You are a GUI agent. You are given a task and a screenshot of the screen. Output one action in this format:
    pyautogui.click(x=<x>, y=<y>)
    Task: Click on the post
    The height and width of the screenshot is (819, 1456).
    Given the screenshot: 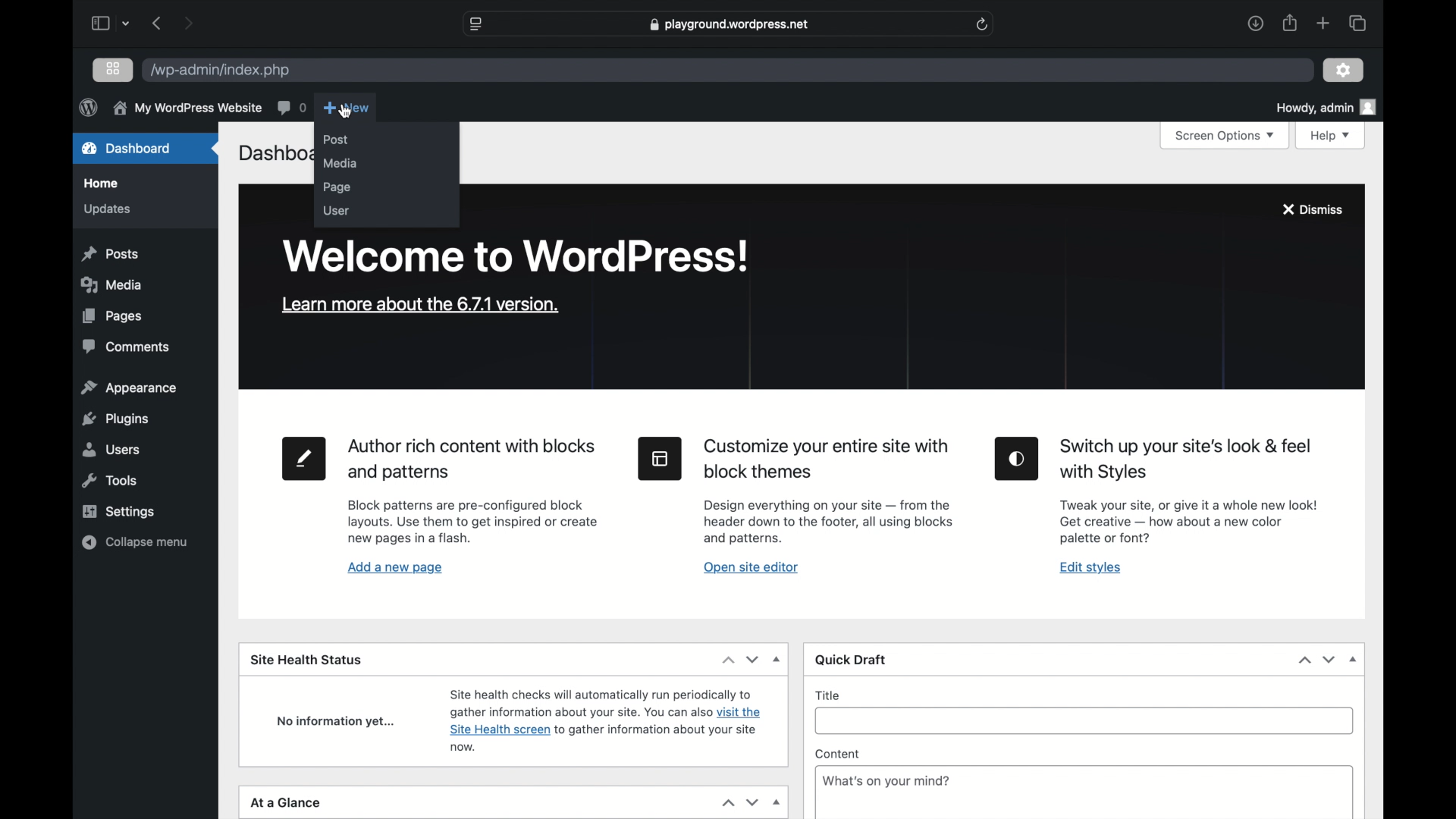 What is the action you would take?
    pyautogui.click(x=336, y=140)
    